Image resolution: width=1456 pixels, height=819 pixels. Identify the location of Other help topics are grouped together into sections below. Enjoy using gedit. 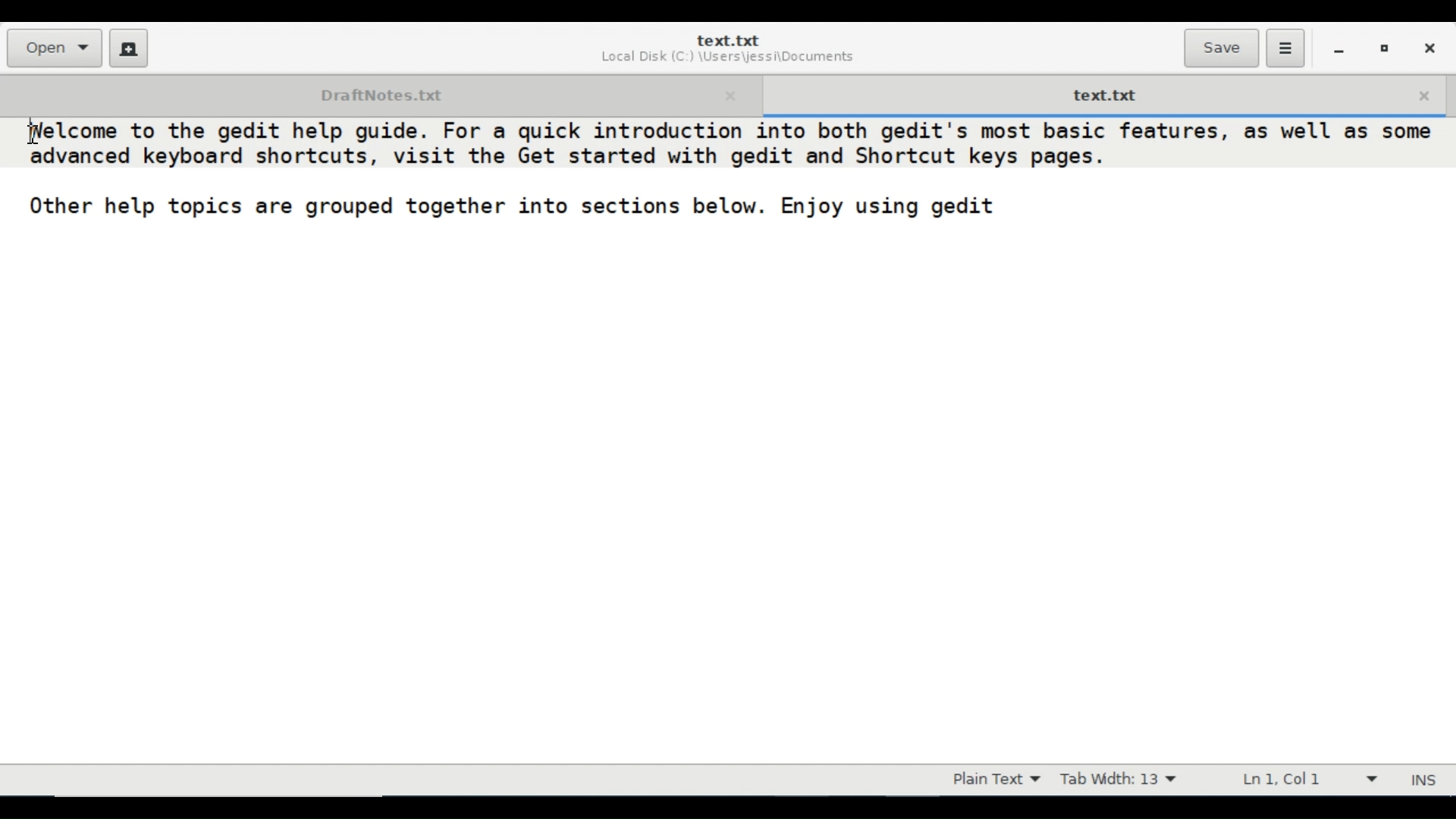
(514, 211).